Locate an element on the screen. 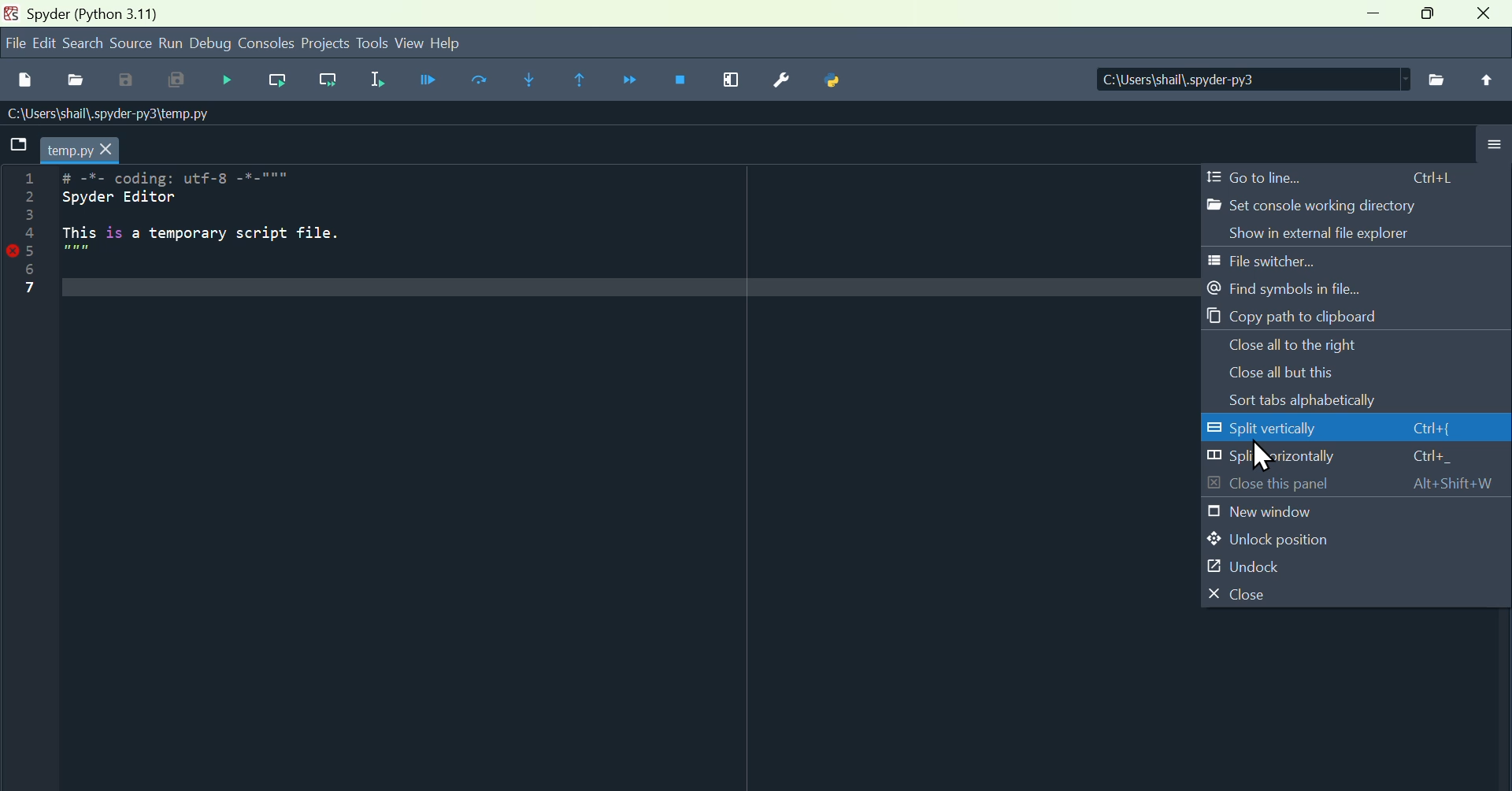  Set console working directory is located at coordinates (1336, 204).